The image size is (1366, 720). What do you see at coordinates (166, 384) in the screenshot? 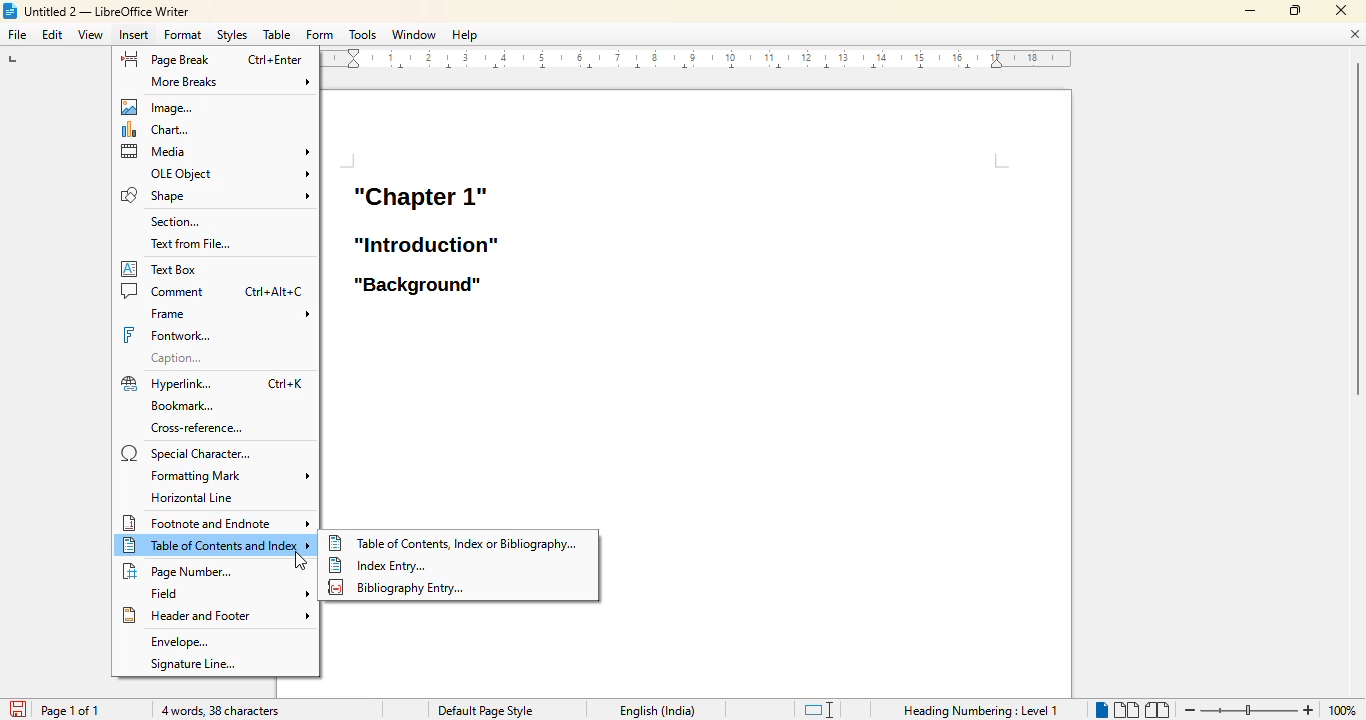
I see `hyperlink` at bounding box center [166, 384].